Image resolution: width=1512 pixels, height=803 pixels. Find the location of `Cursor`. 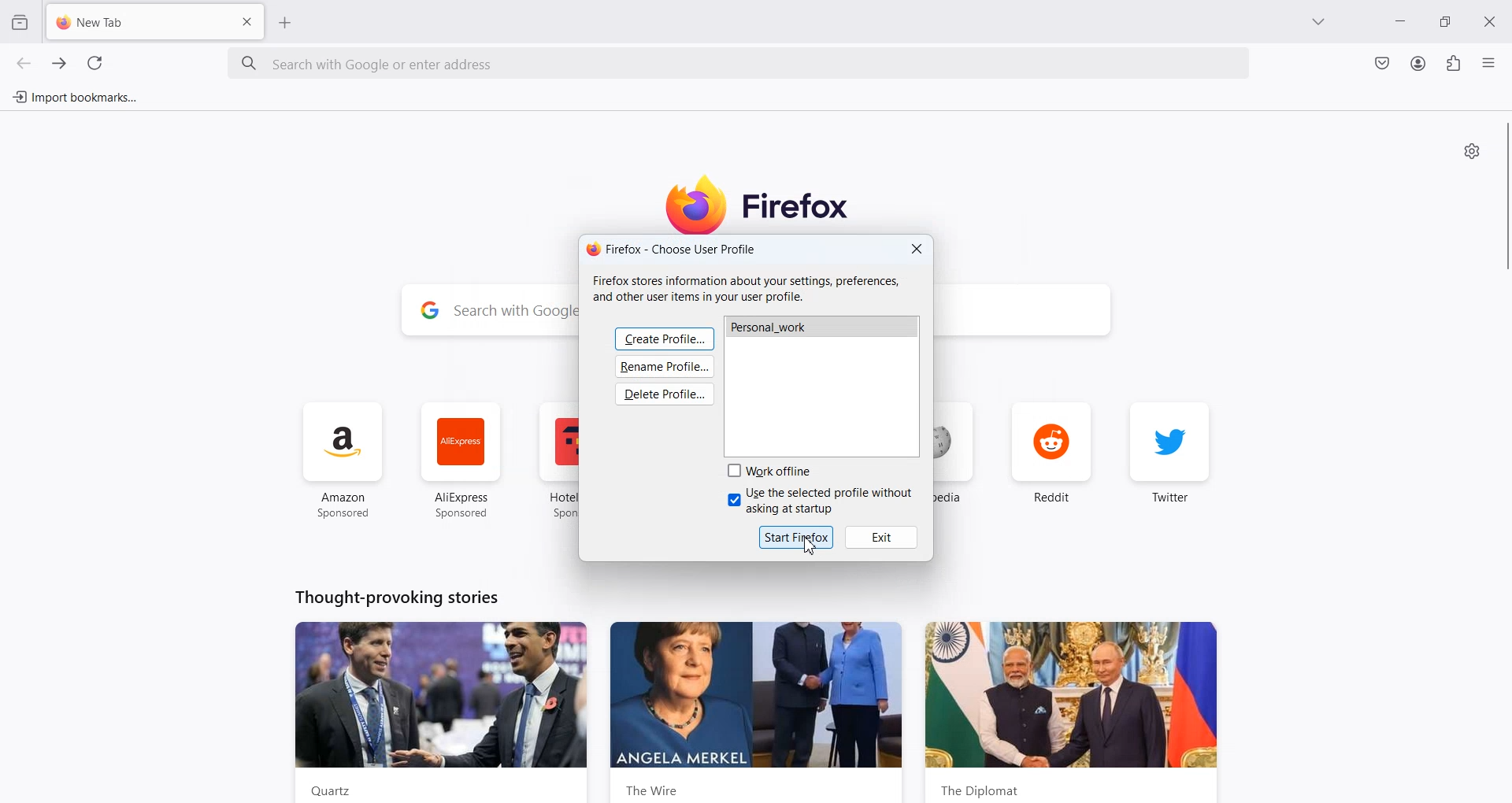

Cursor is located at coordinates (812, 546).